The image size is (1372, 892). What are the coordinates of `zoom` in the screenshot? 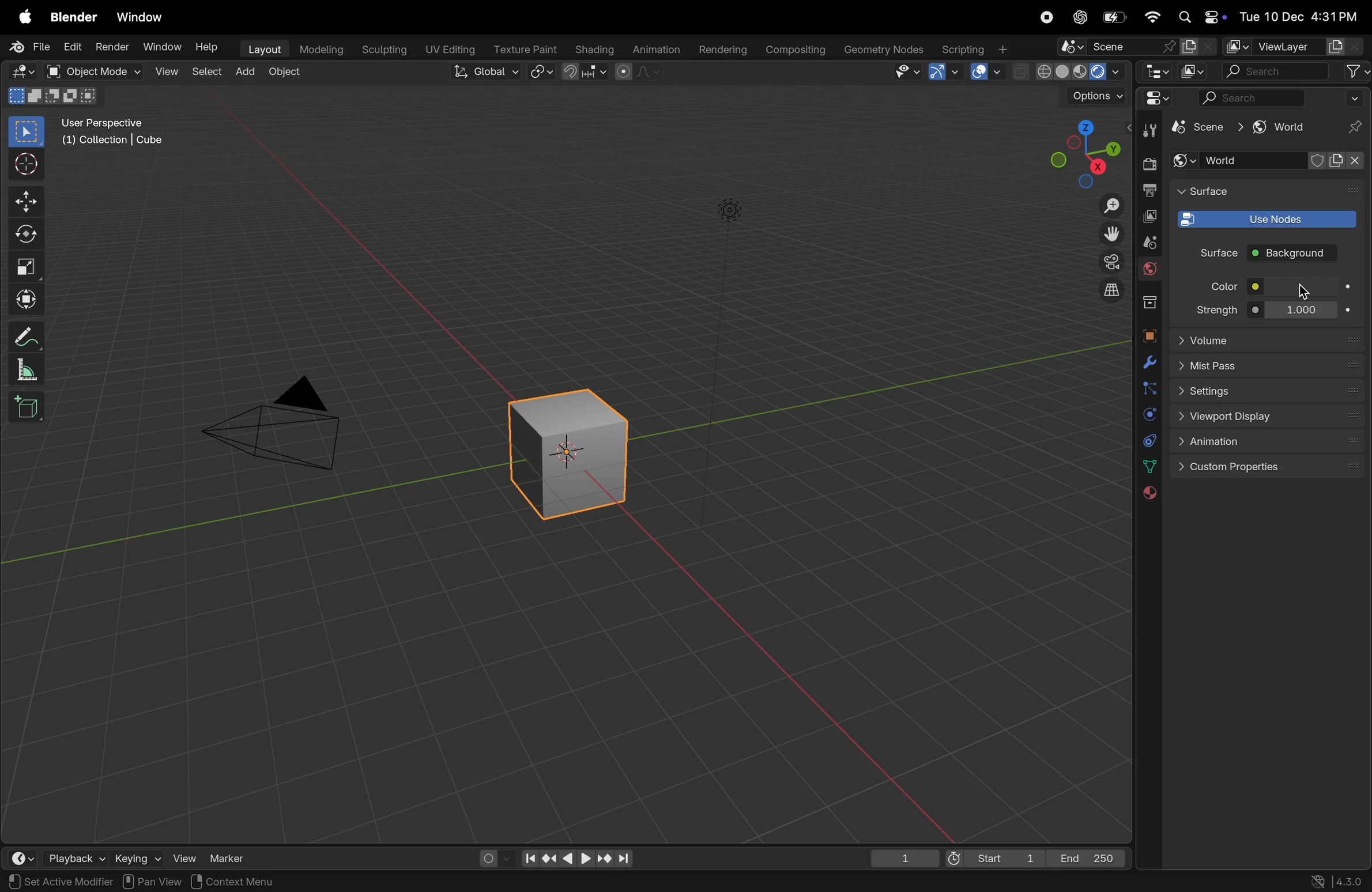 It's located at (1105, 205).